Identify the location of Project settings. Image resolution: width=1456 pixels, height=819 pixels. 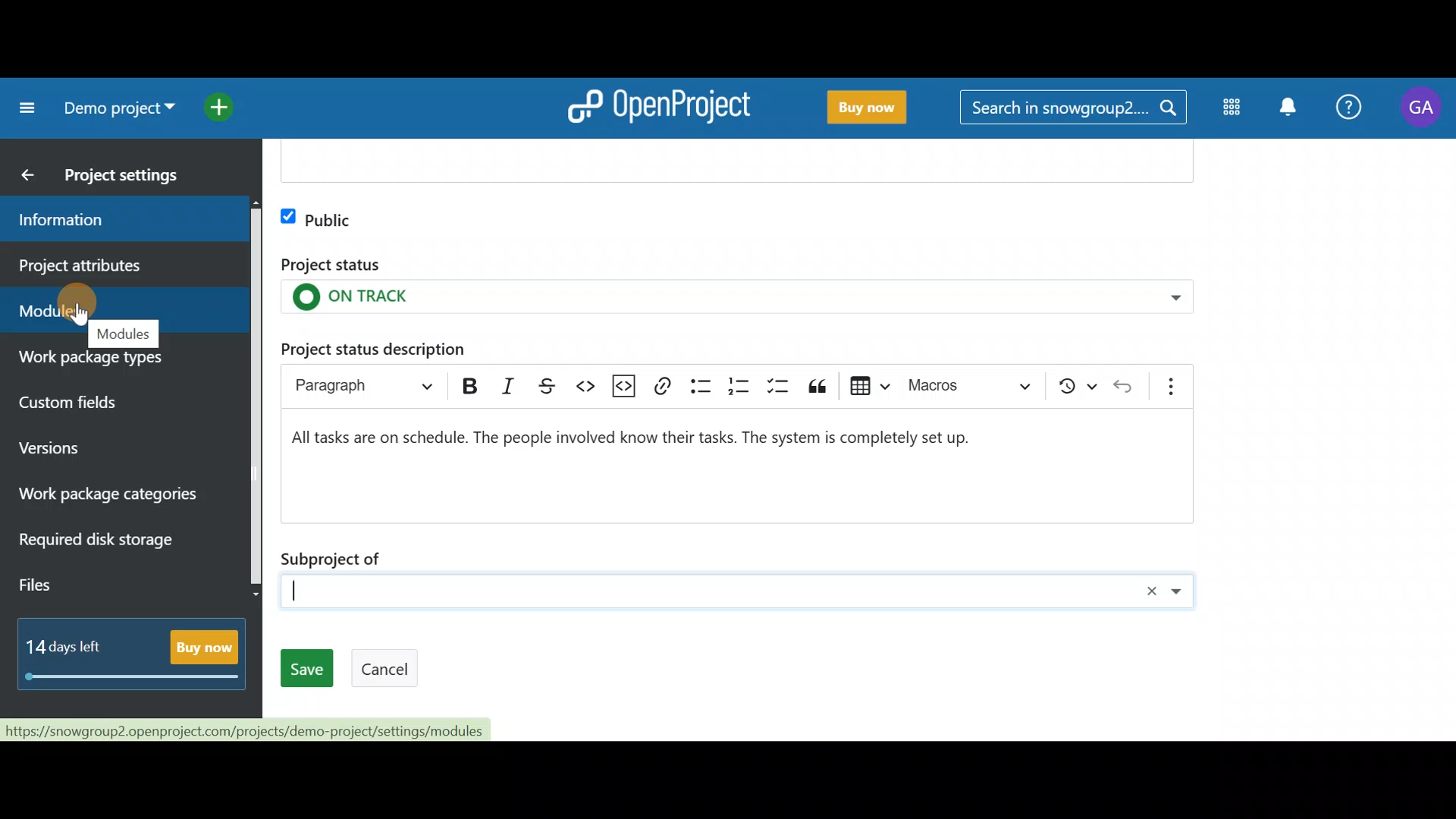
(129, 179).